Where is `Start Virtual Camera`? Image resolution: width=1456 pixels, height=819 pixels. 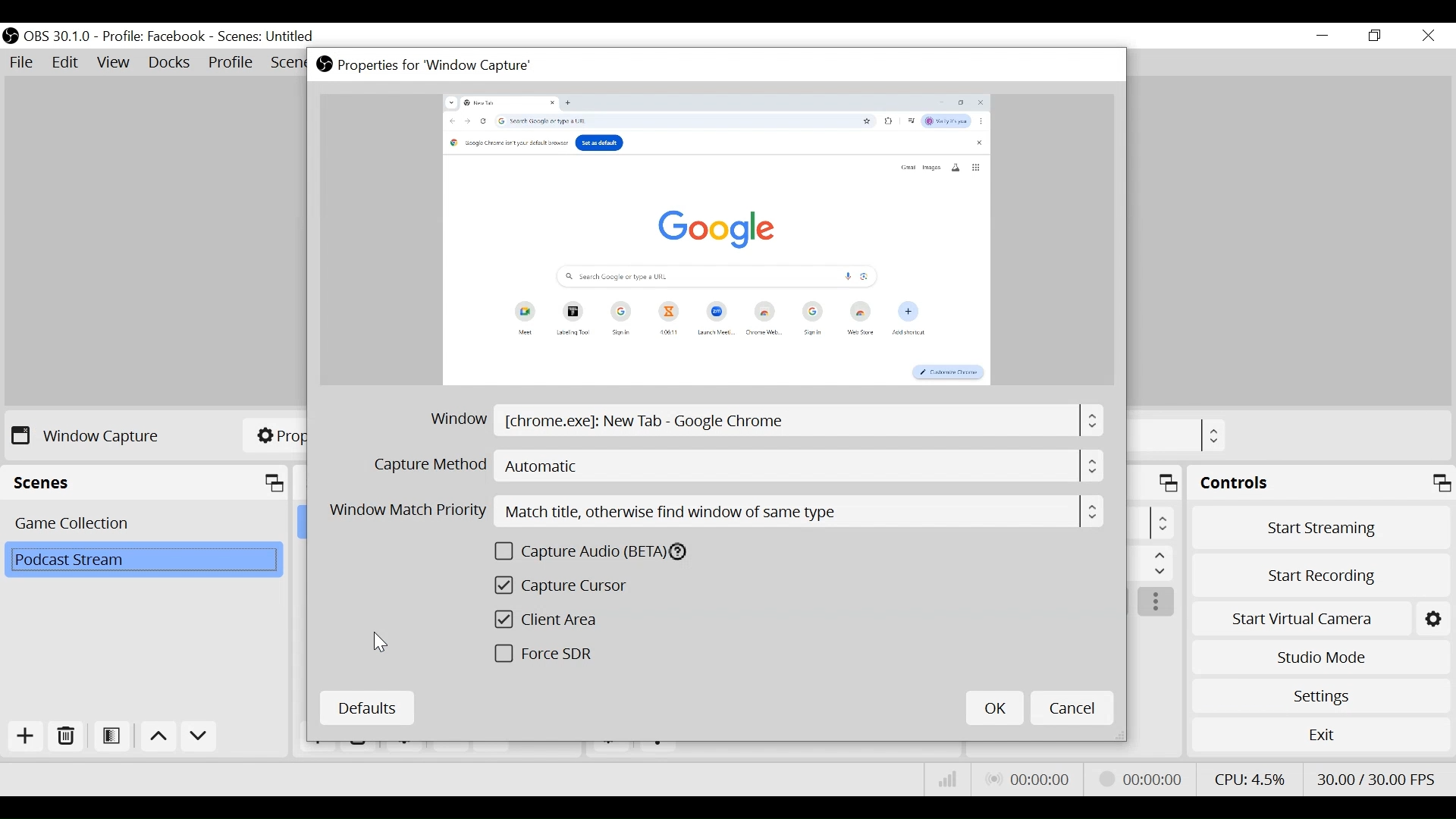
Start Virtual Camera is located at coordinates (1318, 618).